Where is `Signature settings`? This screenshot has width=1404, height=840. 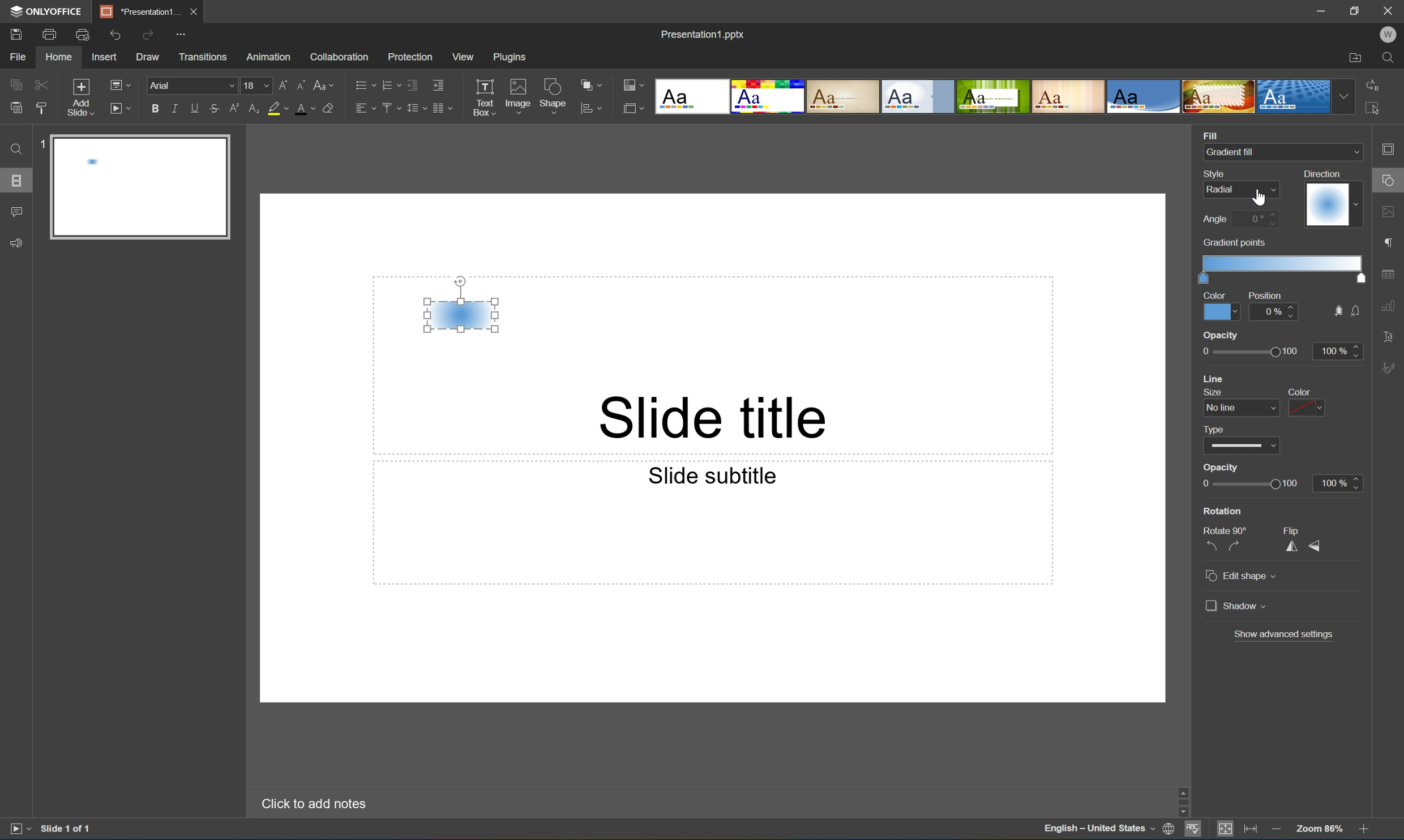 Signature settings is located at coordinates (1391, 367).